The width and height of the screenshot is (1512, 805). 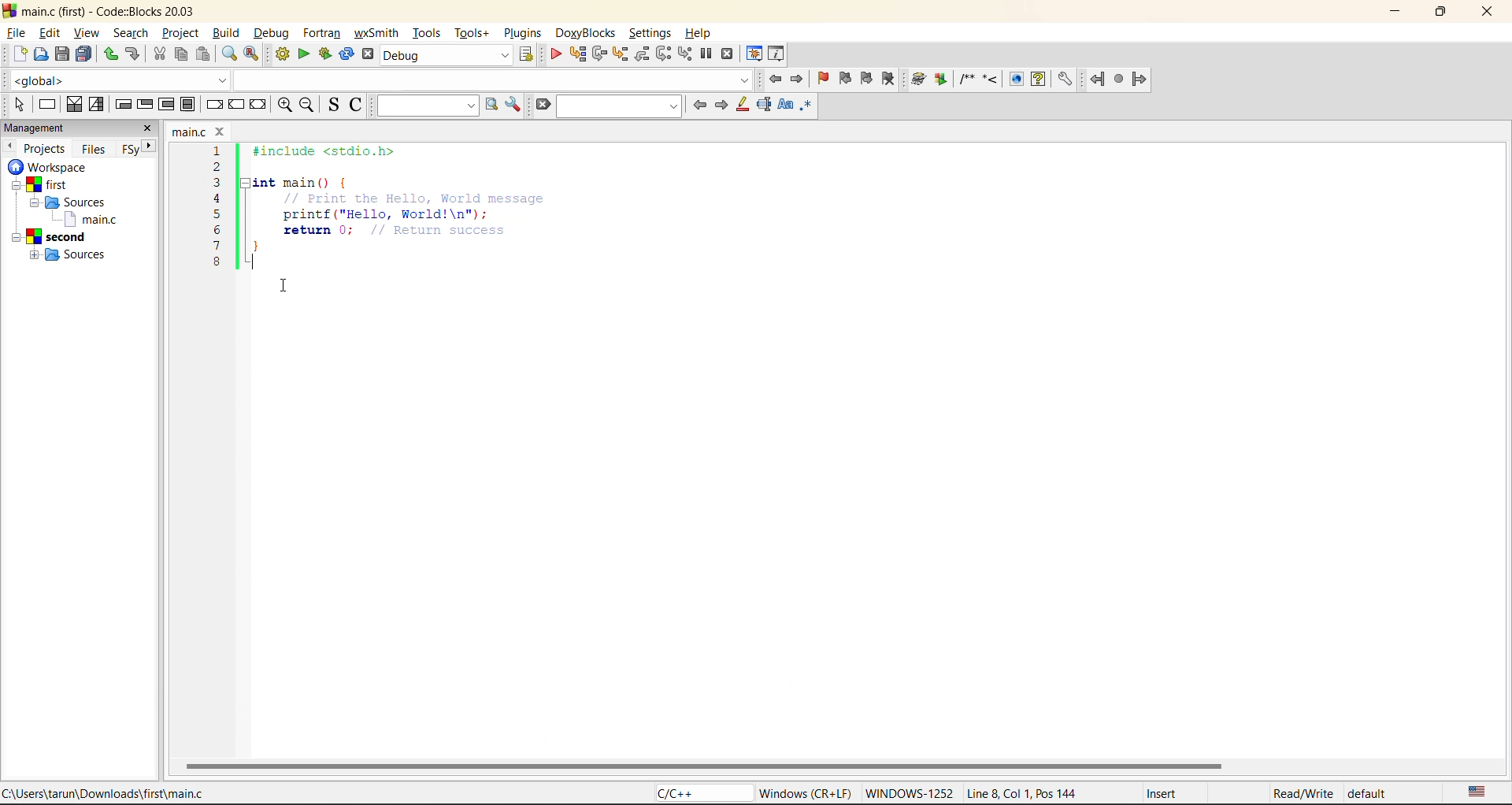 What do you see at coordinates (110, 55) in the screenshot?
I see `undo` at bounding box center [110, 55].